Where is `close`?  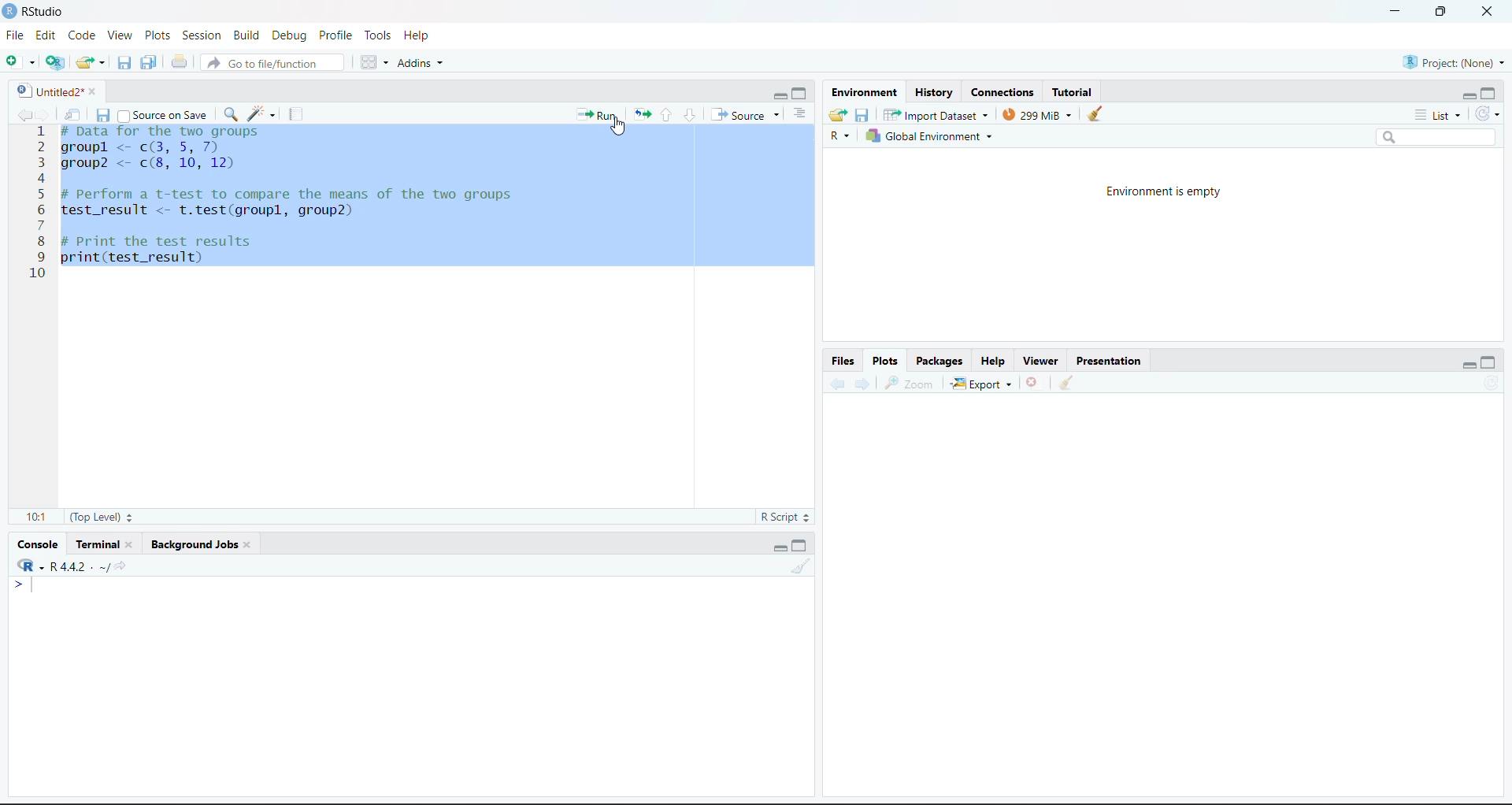
close is located at coordinates (246, 545).